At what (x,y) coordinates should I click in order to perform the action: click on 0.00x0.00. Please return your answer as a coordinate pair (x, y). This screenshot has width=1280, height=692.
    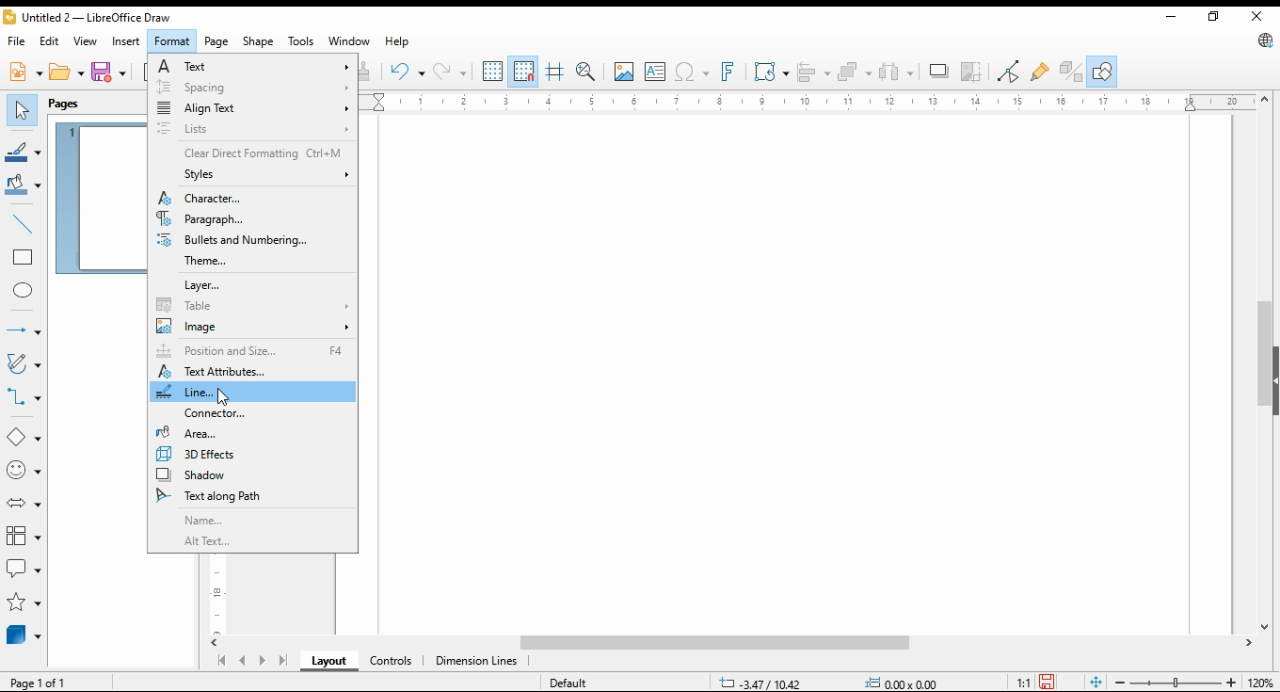
    Looking at the image, I should click on (905, 682).